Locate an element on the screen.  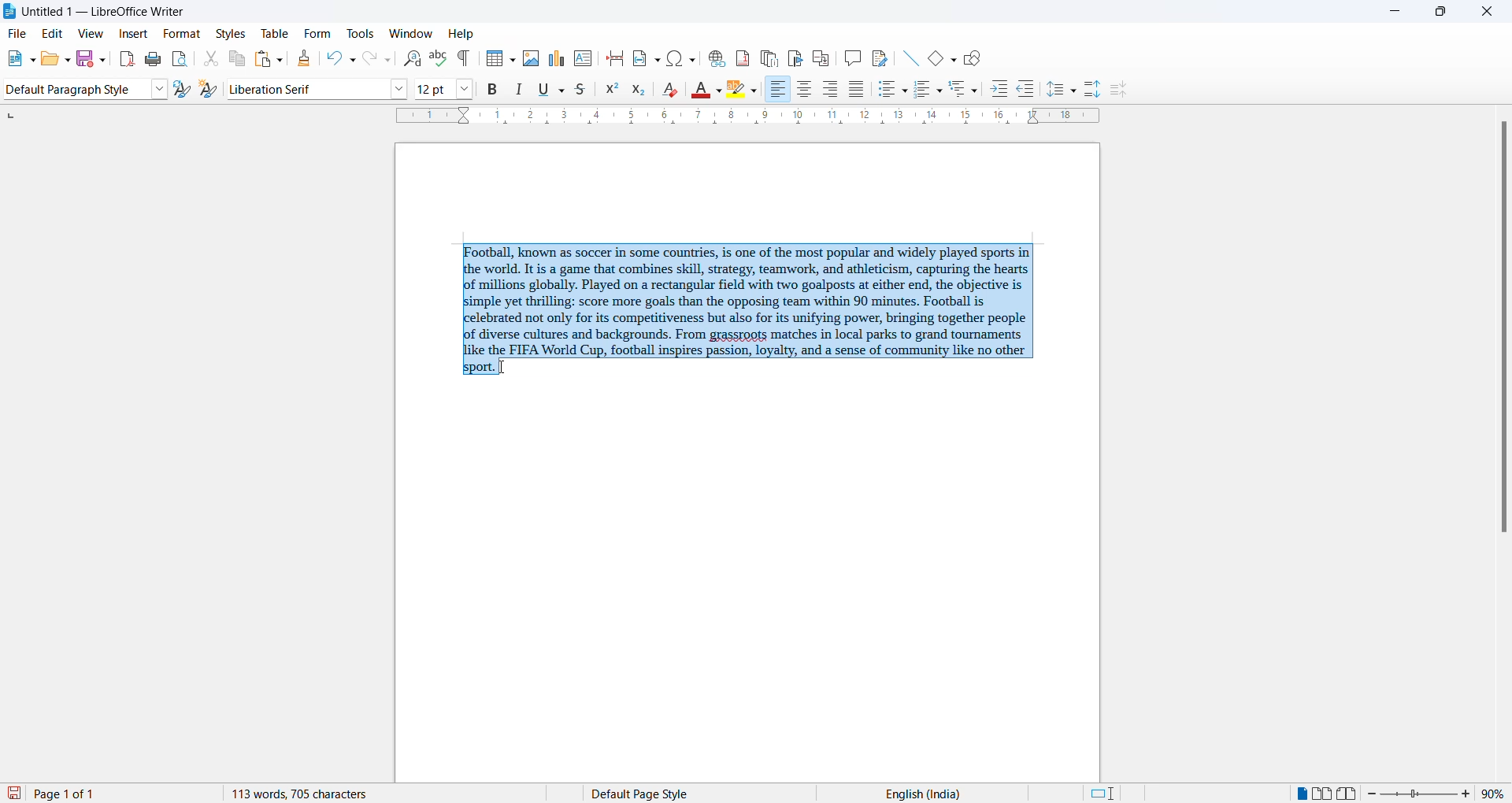
insert table is located at coordinates (492, 58).